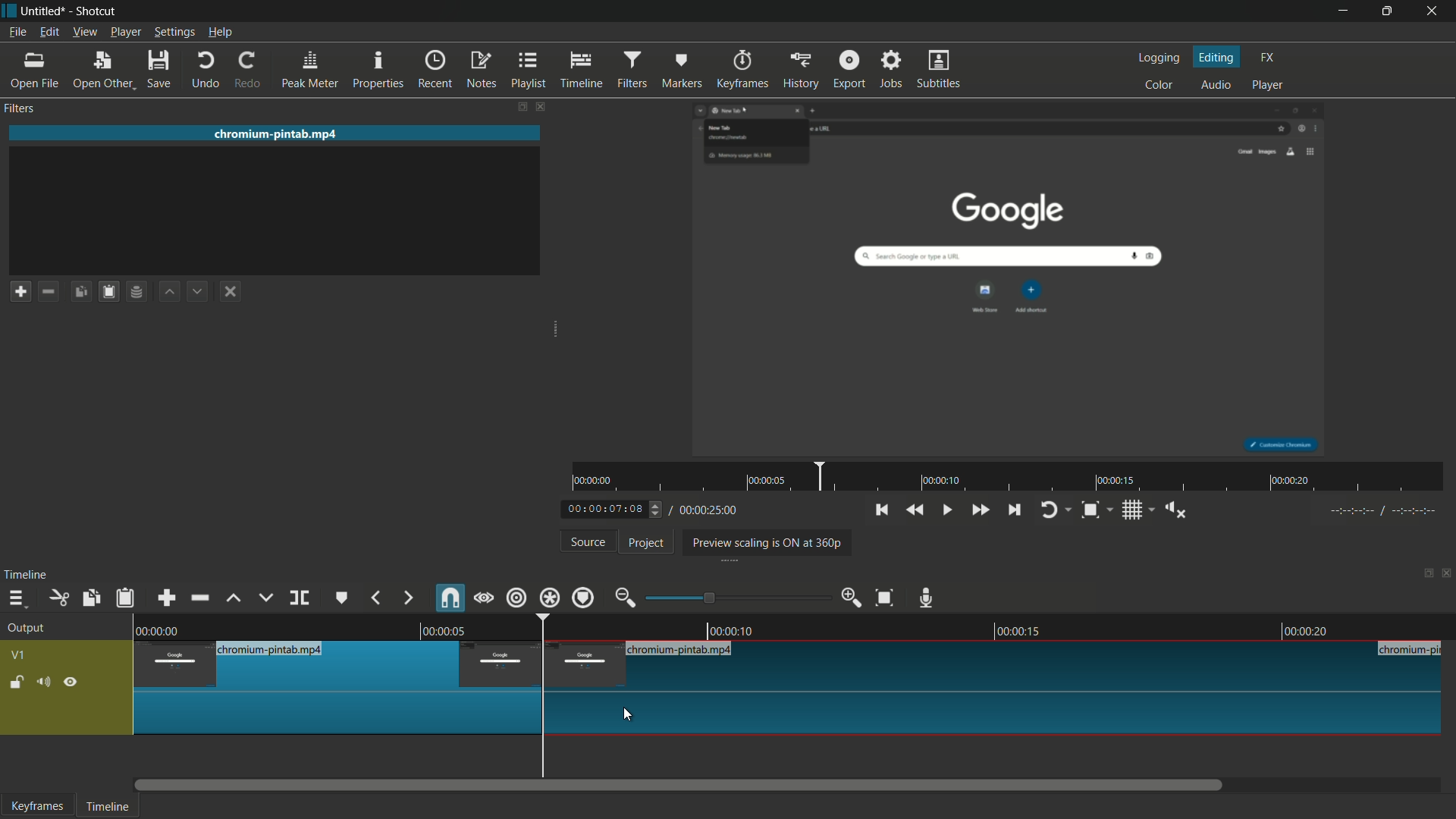 The height and width of the screenshot is (819, 1456). What do you see at coordinates (17, 32) in the screenshot?
I see `file menu` at bounding box center [17, 32].